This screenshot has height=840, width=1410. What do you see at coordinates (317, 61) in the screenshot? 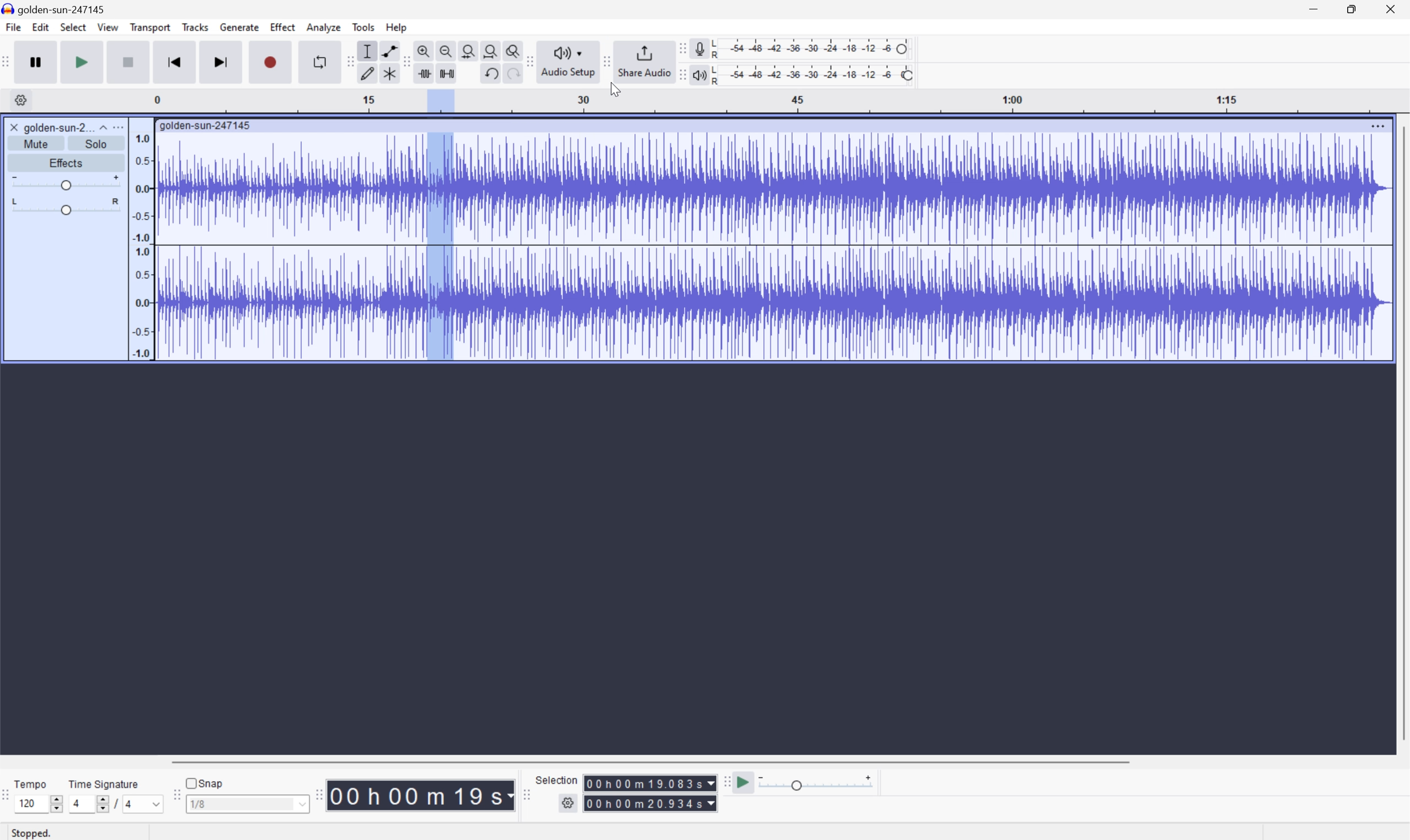
I see `Enable looping` at bounding box center [317, 61].